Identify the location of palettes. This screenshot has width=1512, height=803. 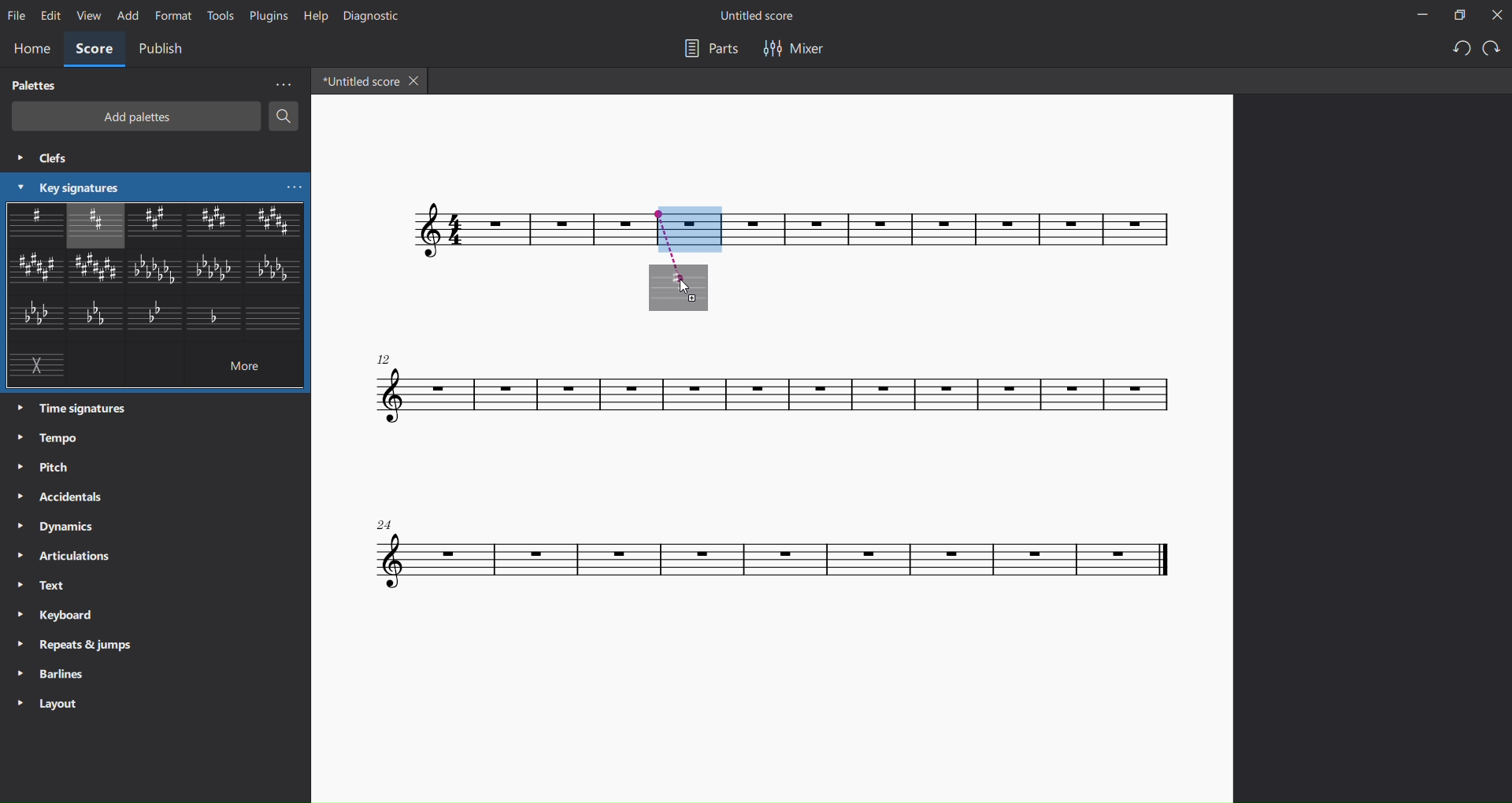
(31, 85).